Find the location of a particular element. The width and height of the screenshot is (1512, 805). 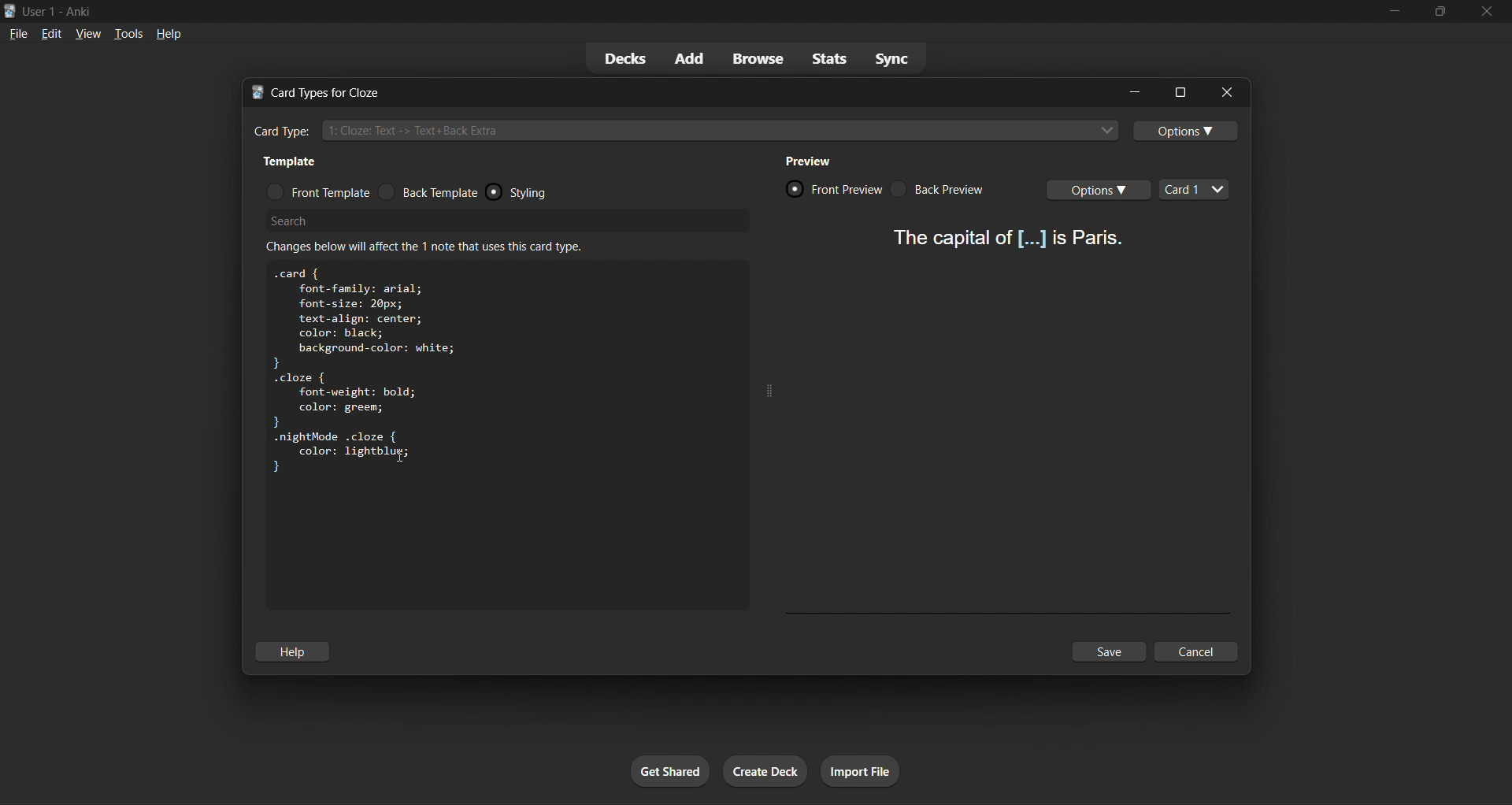

template is located at coordinates (297, 162).